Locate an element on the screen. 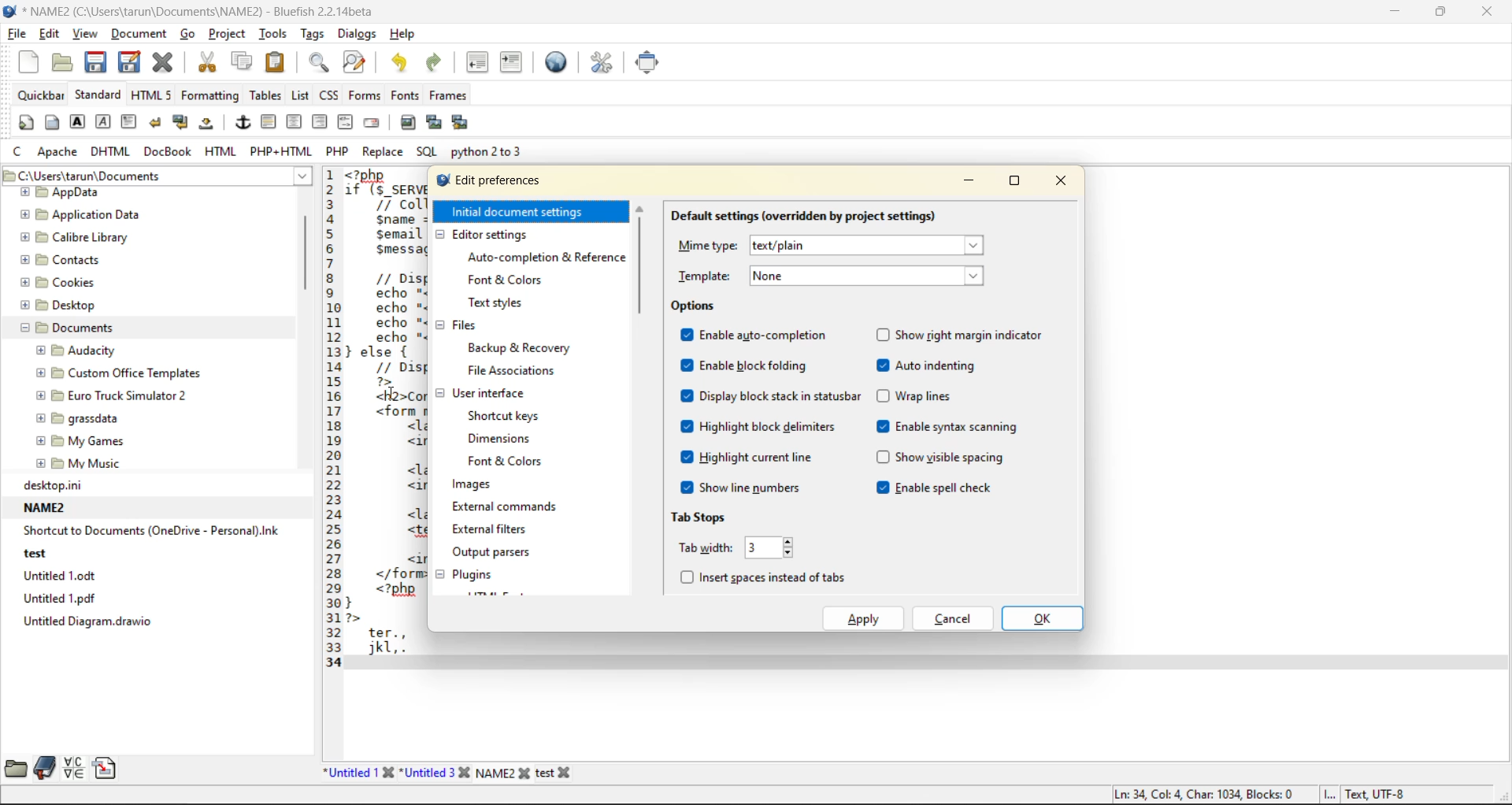 The width and height of the screenshot is (1512, 805). file is located at coordinates (14, 34).